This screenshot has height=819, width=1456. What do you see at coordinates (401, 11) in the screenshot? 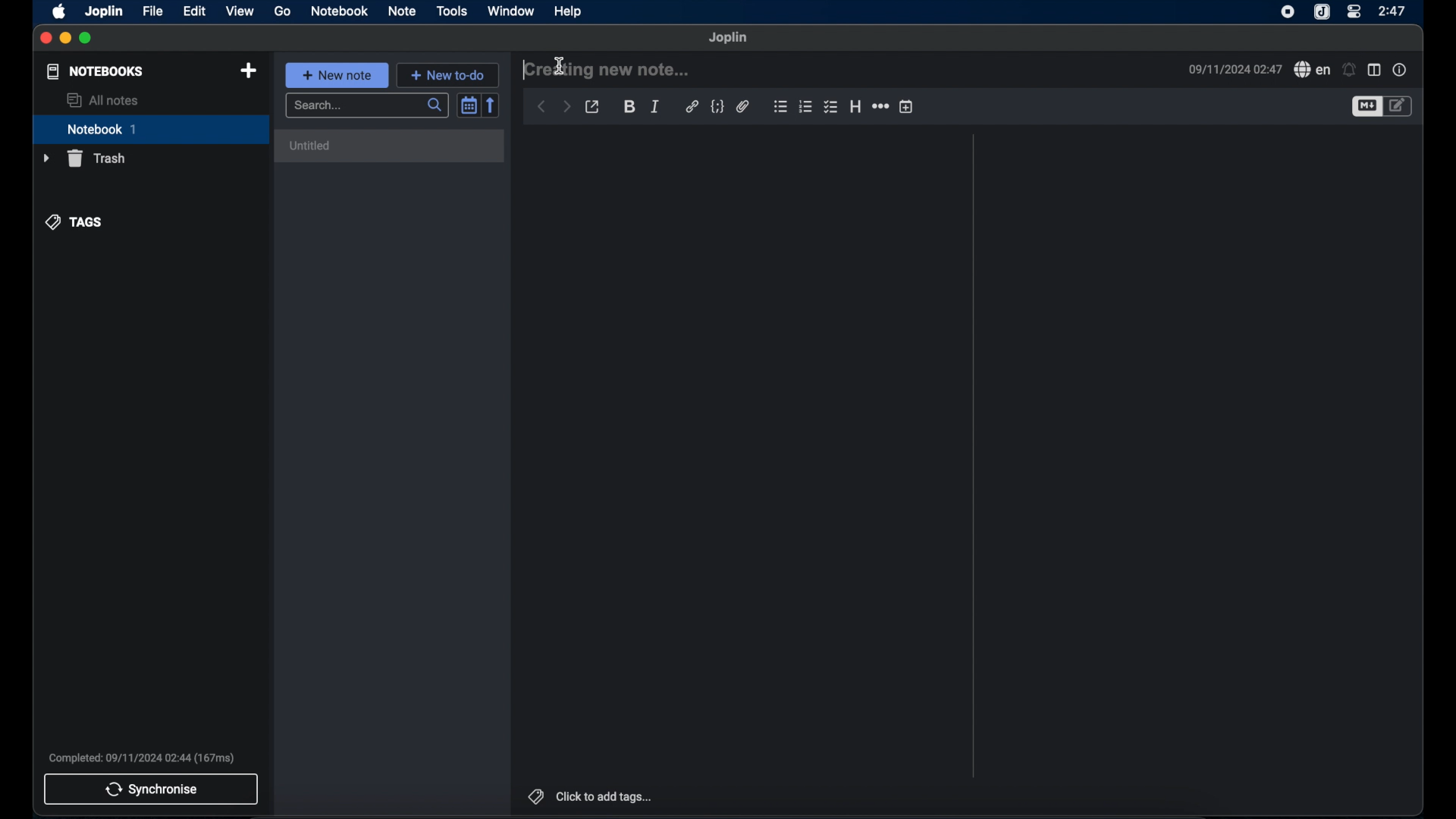
I see `note` at bounding box center [401, 11].